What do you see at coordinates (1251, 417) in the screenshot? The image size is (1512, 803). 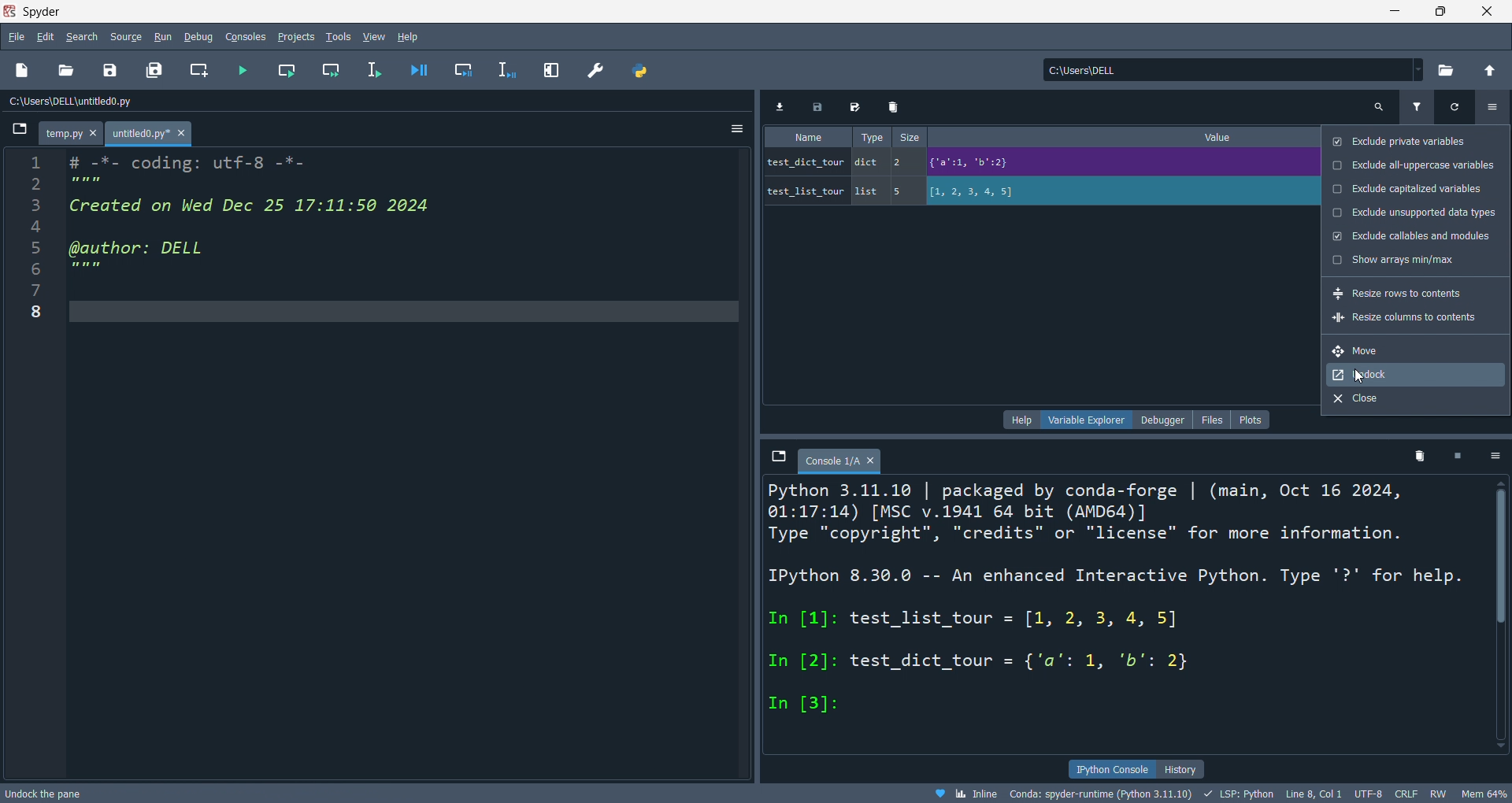 I see `plots` at bounding box center [1251, 417].